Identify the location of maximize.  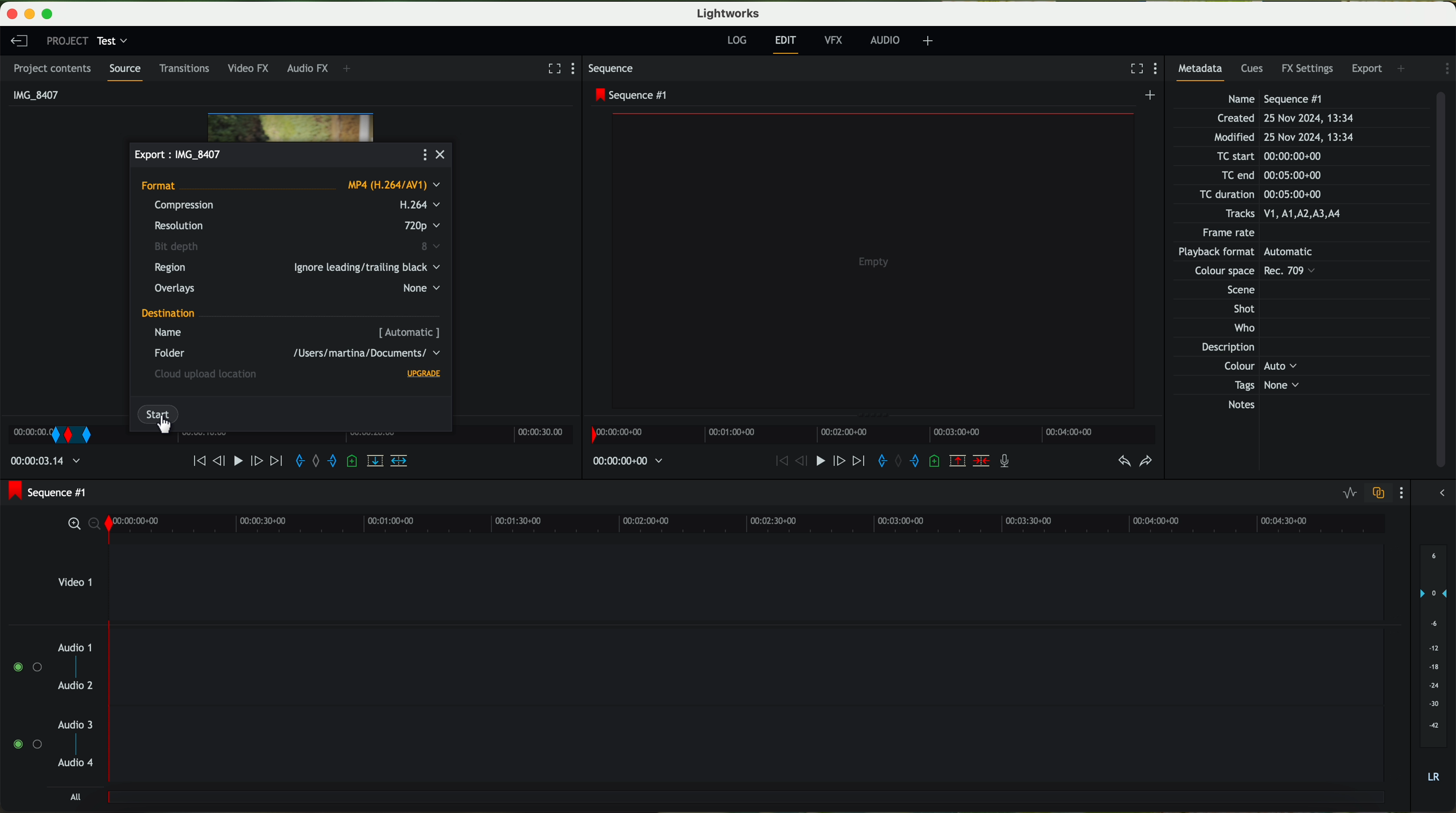
(54, 12).